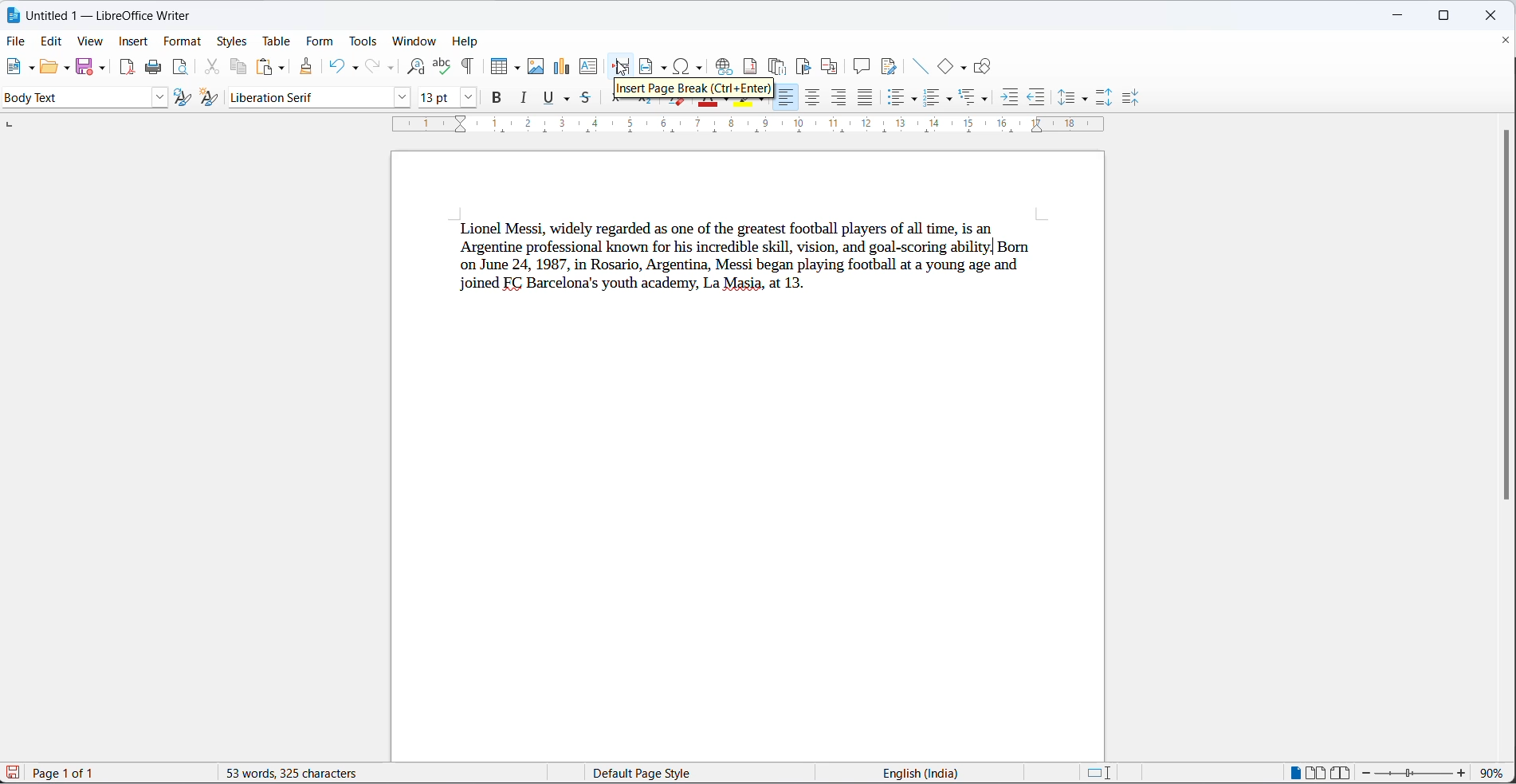 This screenshot has width=1516, height=784. Describe the element at coordinates (133, 41) in the screenshot. I see `insert` at that location.